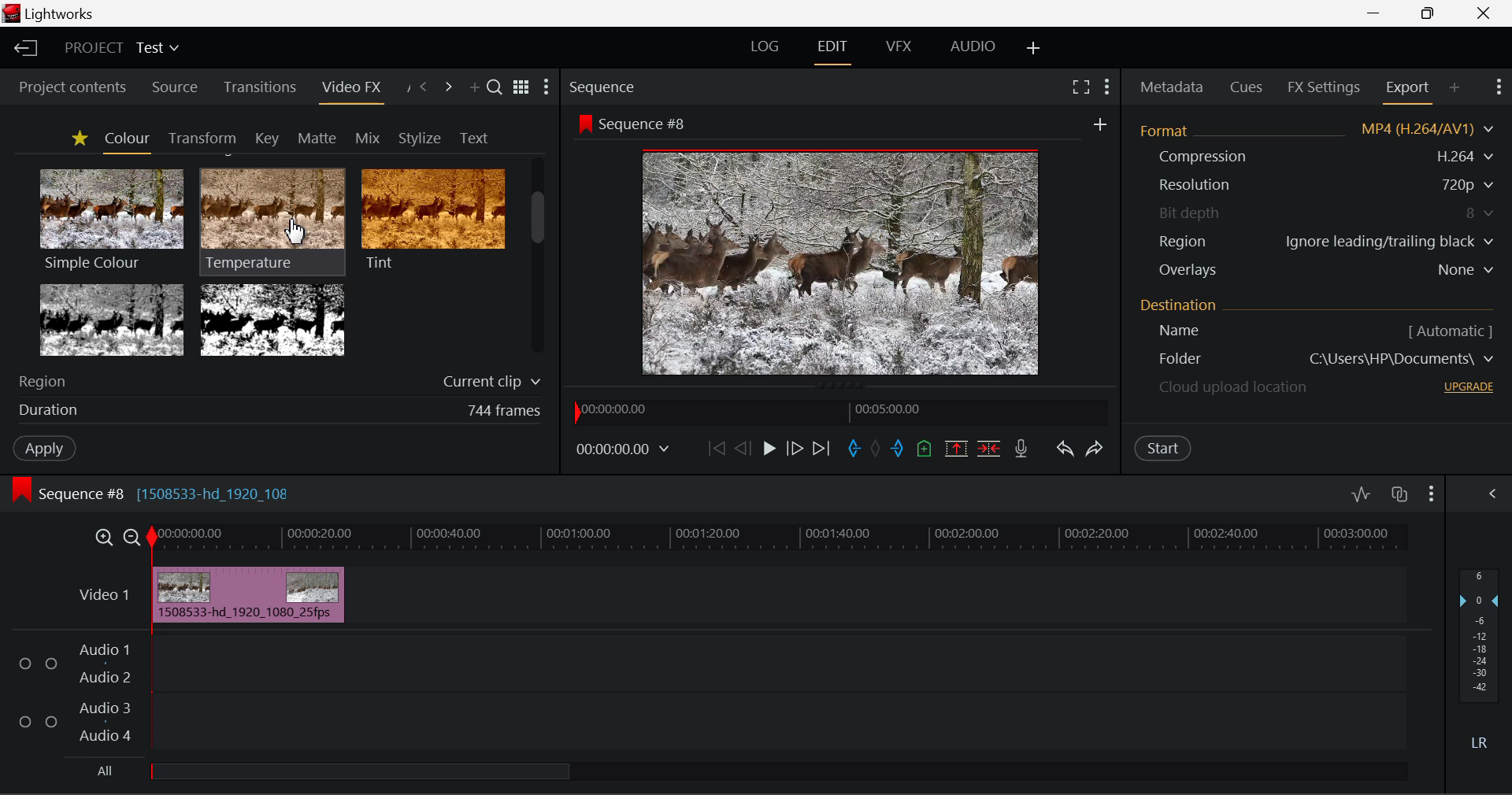 Image resolution: width=1512 pixels, height=795 pixels. Describe the element at coordinates (523, 88) in the screenshot. I see `Toggle between title and list view` at that location.